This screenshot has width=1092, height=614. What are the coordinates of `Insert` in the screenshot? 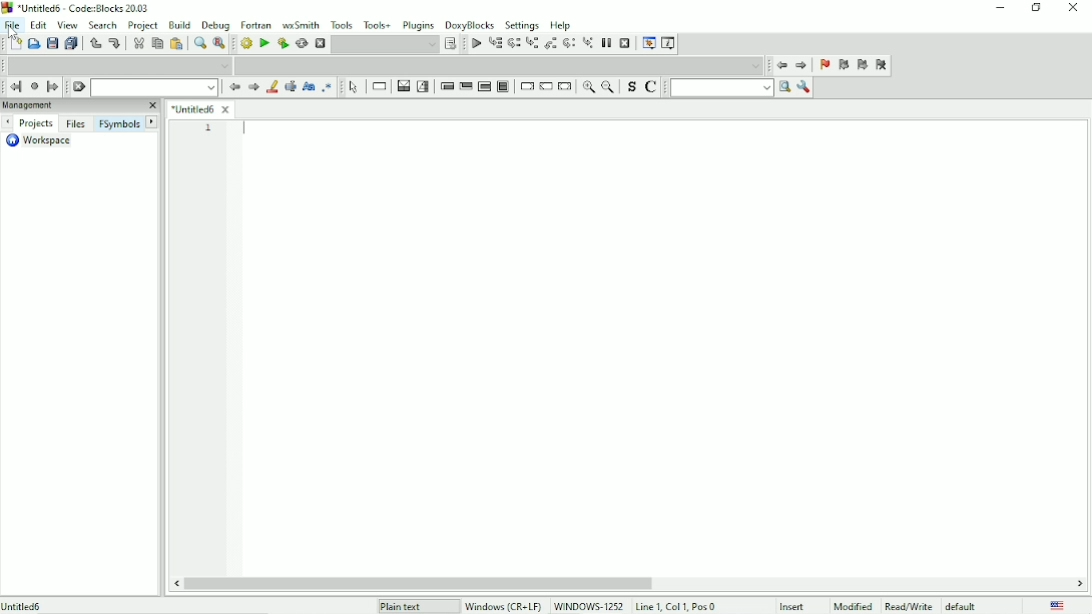 It's located at (798, 606).